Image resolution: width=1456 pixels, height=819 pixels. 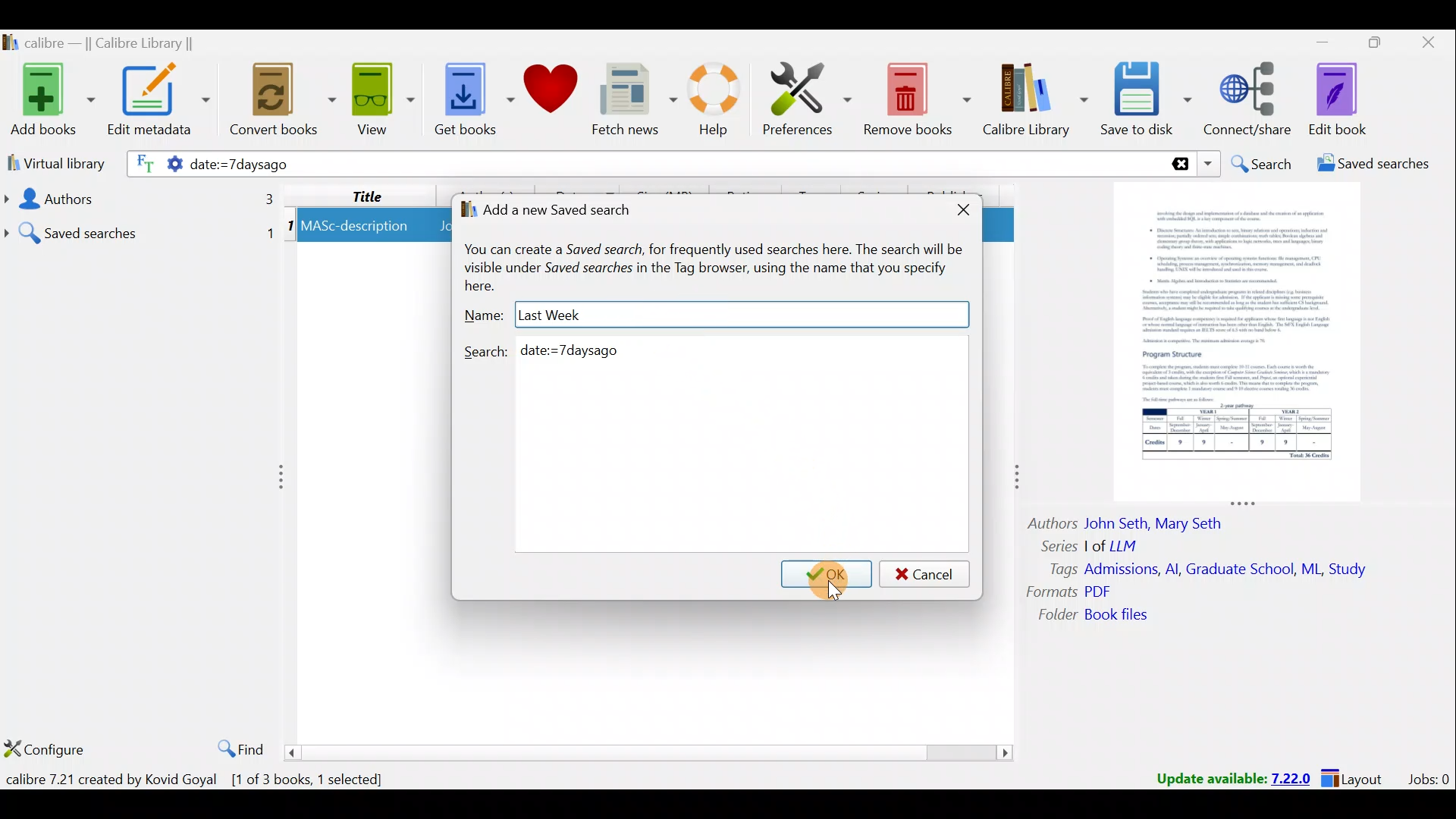 What do you see at coordinates (634, 100) in the screenshot?
I see `Fetch news` at bounding box center [634, 100].